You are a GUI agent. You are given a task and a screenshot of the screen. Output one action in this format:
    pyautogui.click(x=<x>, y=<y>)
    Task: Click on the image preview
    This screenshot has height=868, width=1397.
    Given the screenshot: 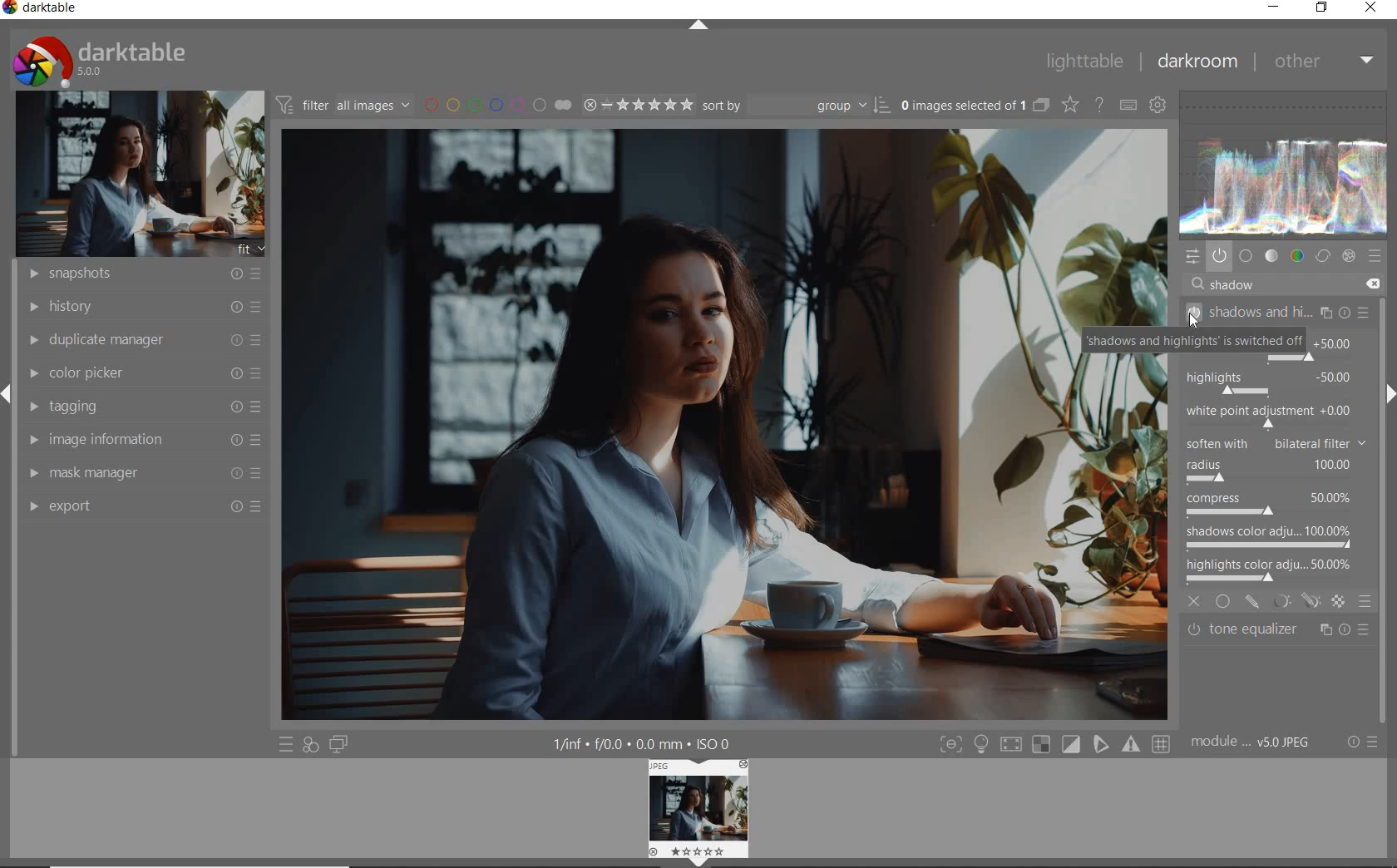 What is the action you would take?
    pyautogui.click(x=694, y=806)
    